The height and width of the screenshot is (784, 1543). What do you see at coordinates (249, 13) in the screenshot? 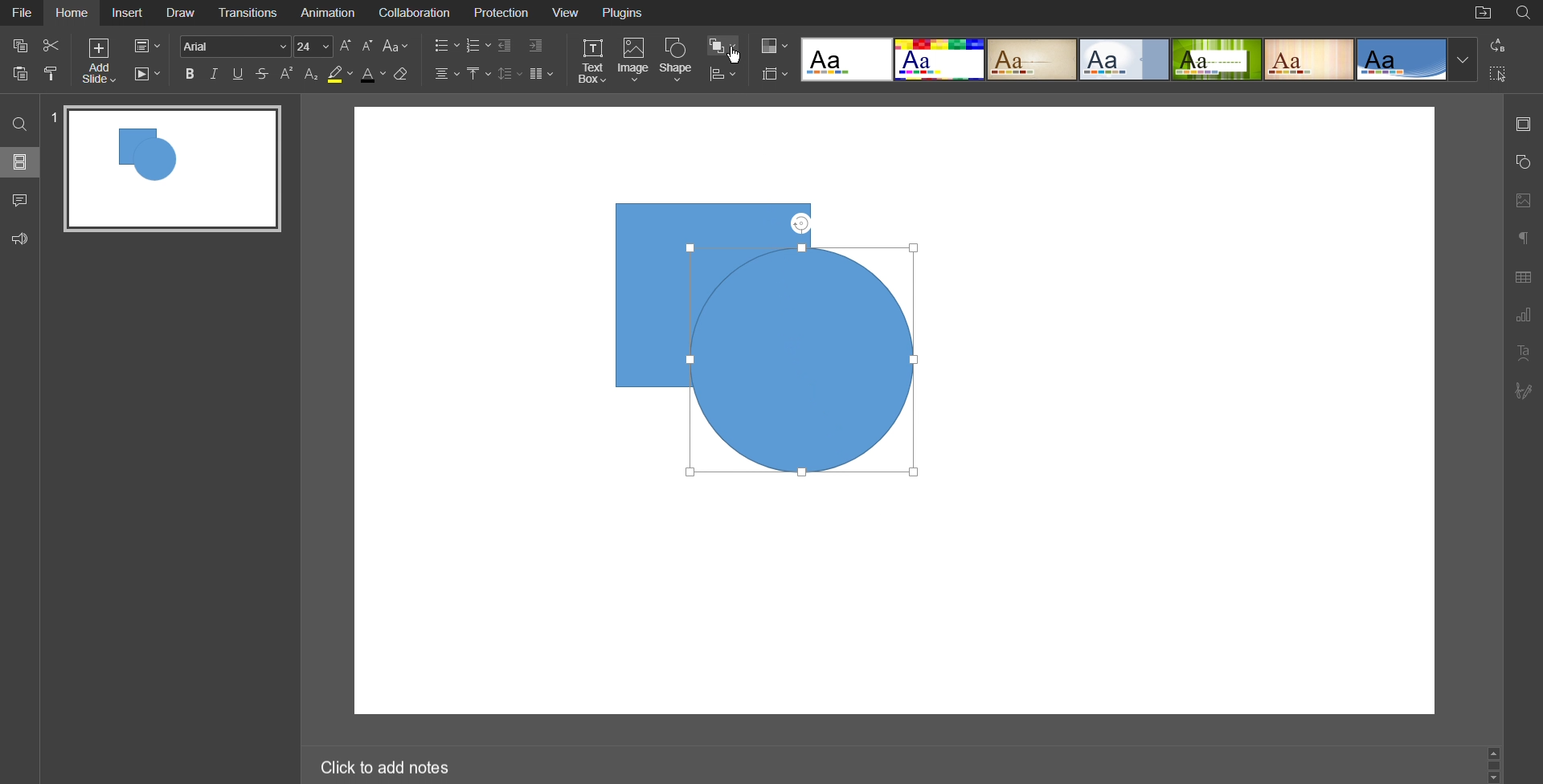
I see `Transitions` at bounding box center [249, 13].